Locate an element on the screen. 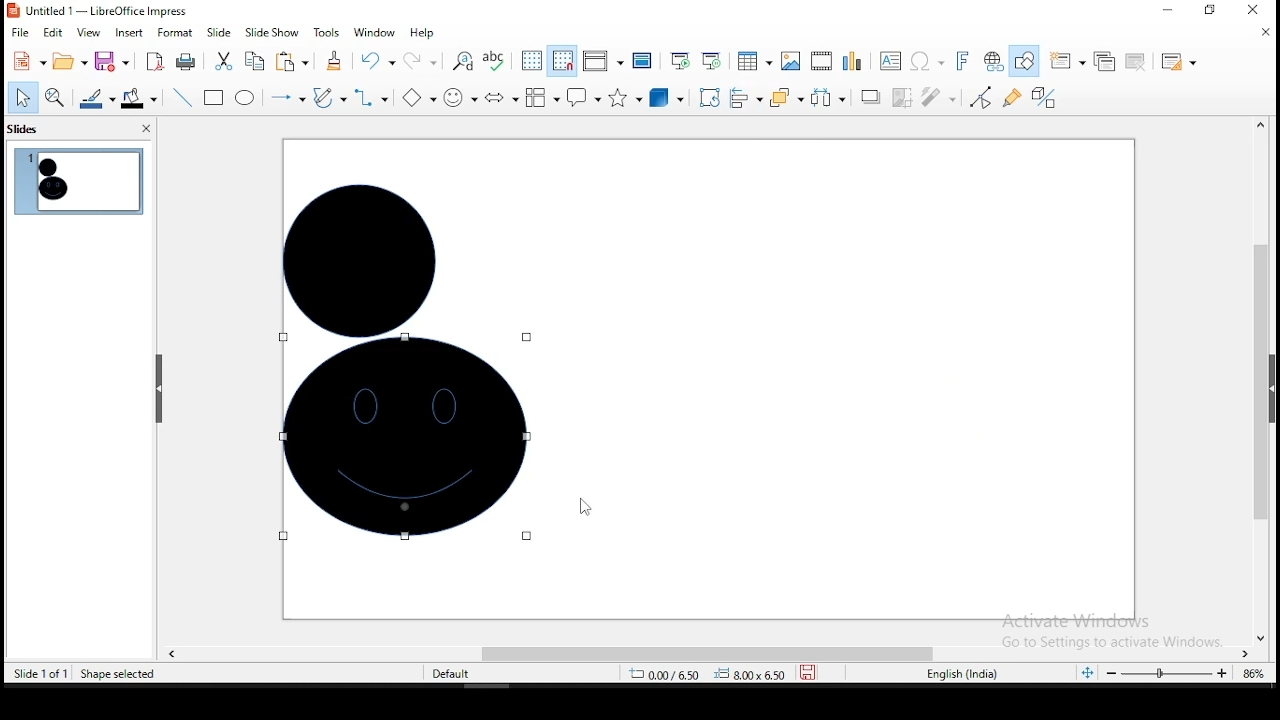  help is located at coordinates (423, 32).